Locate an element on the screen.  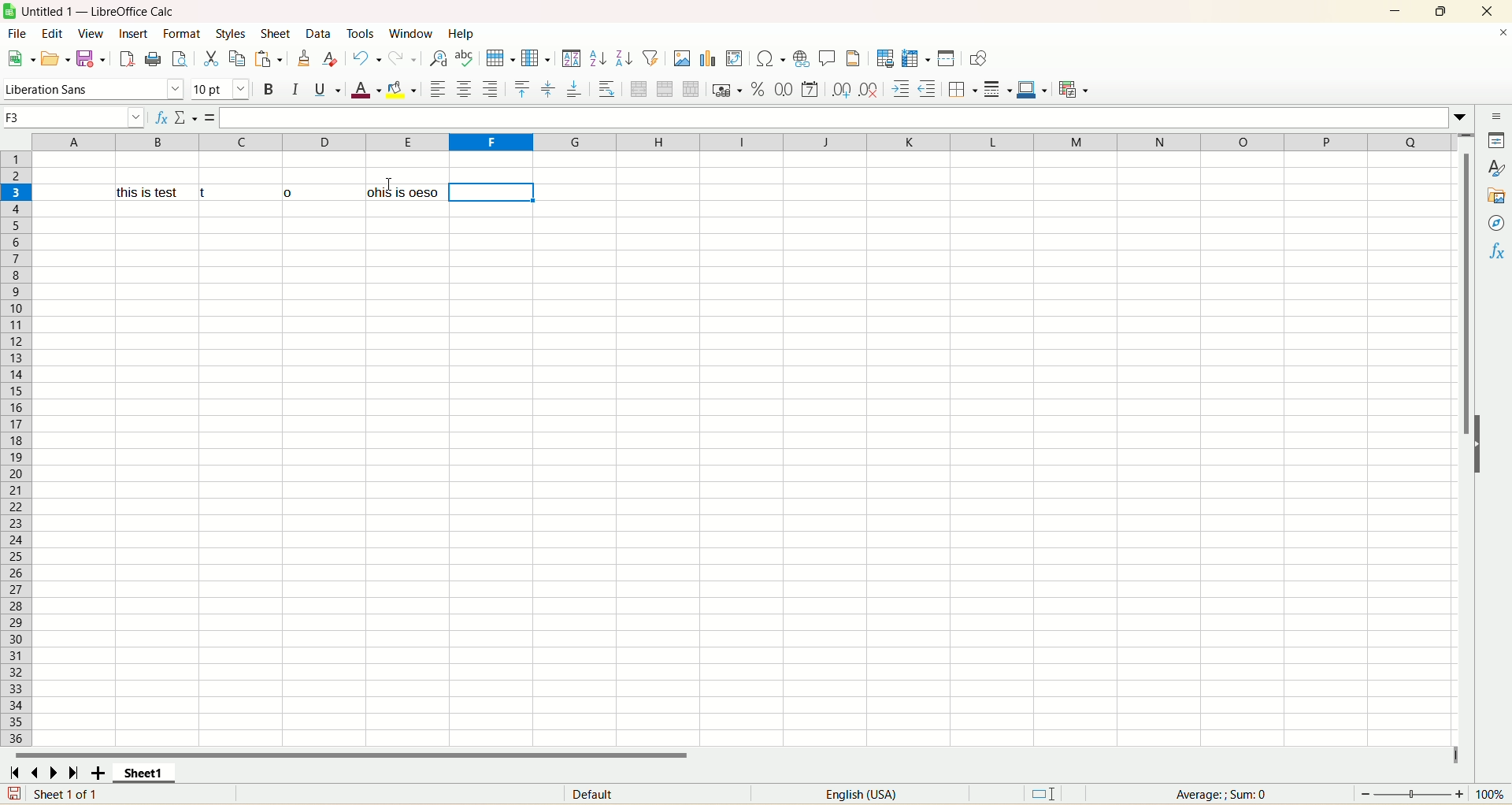
insert chart is located at coordinates (712, 59).